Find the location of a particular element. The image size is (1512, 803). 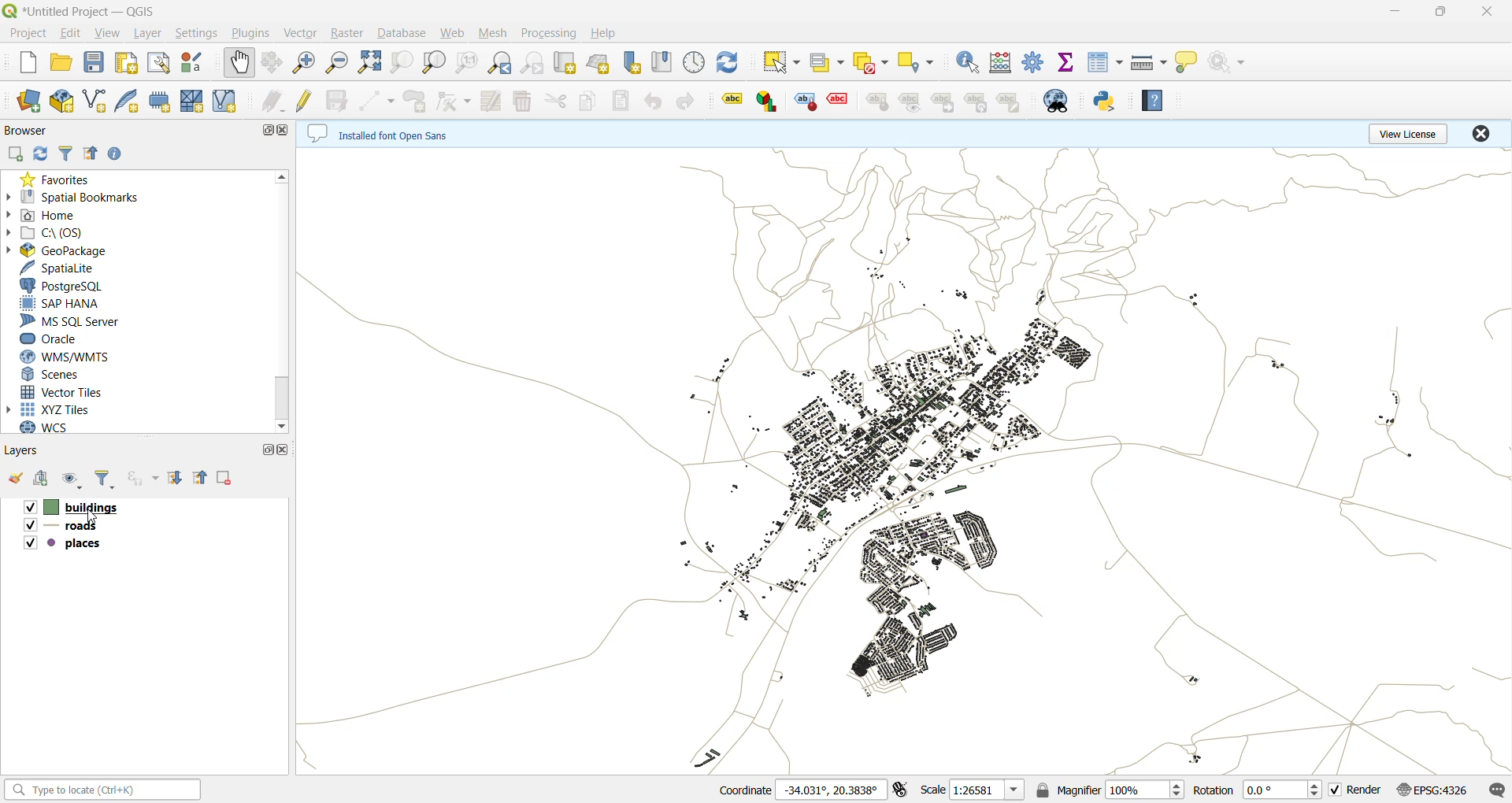

pin/unpin labels and diagrams is located at coordinates (881, 101).